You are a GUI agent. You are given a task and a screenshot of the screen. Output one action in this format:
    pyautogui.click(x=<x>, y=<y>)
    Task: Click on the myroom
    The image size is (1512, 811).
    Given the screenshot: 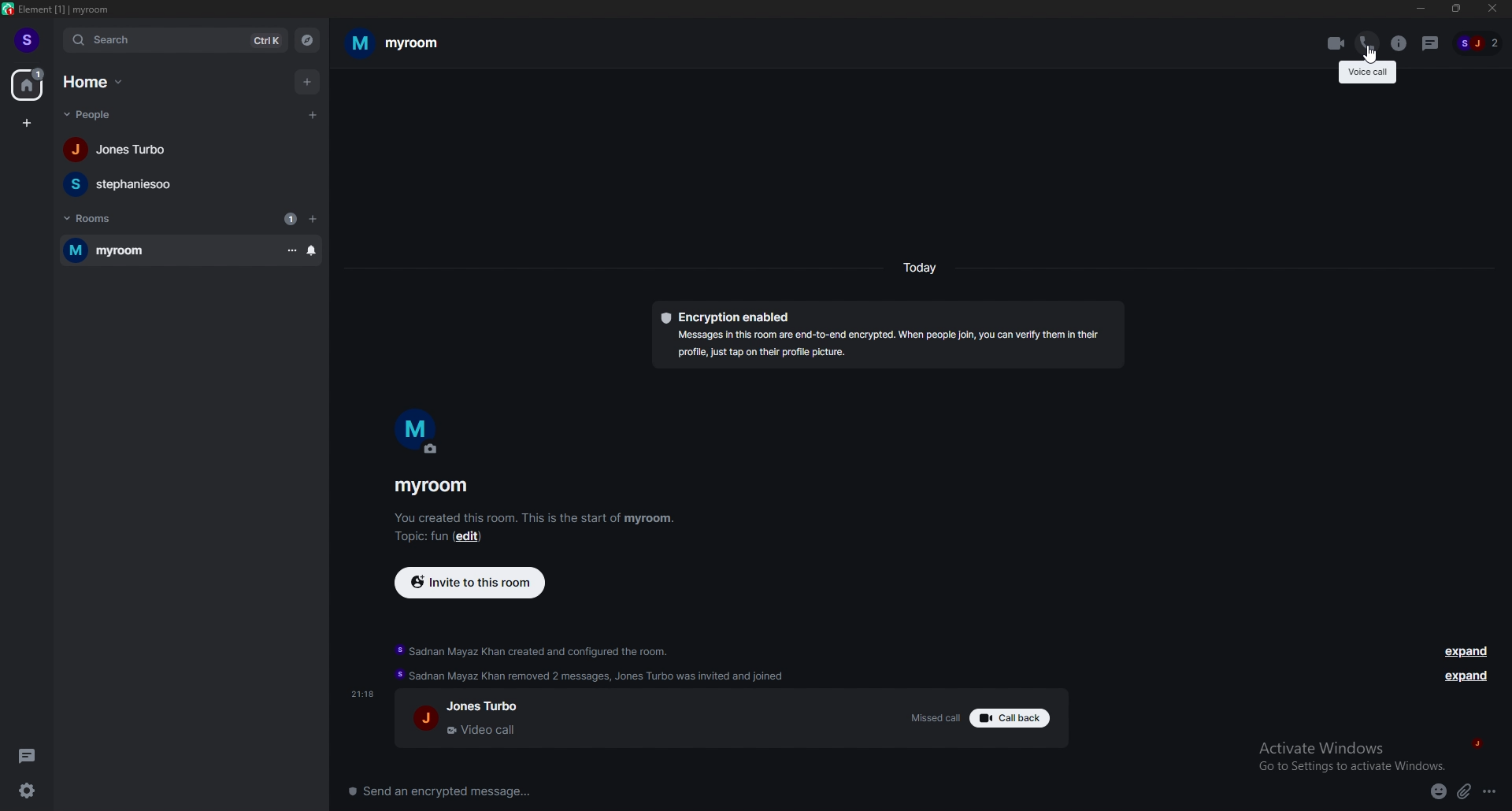 What is the action you would take?
    pyautogui.click(x=406, y=43)
    